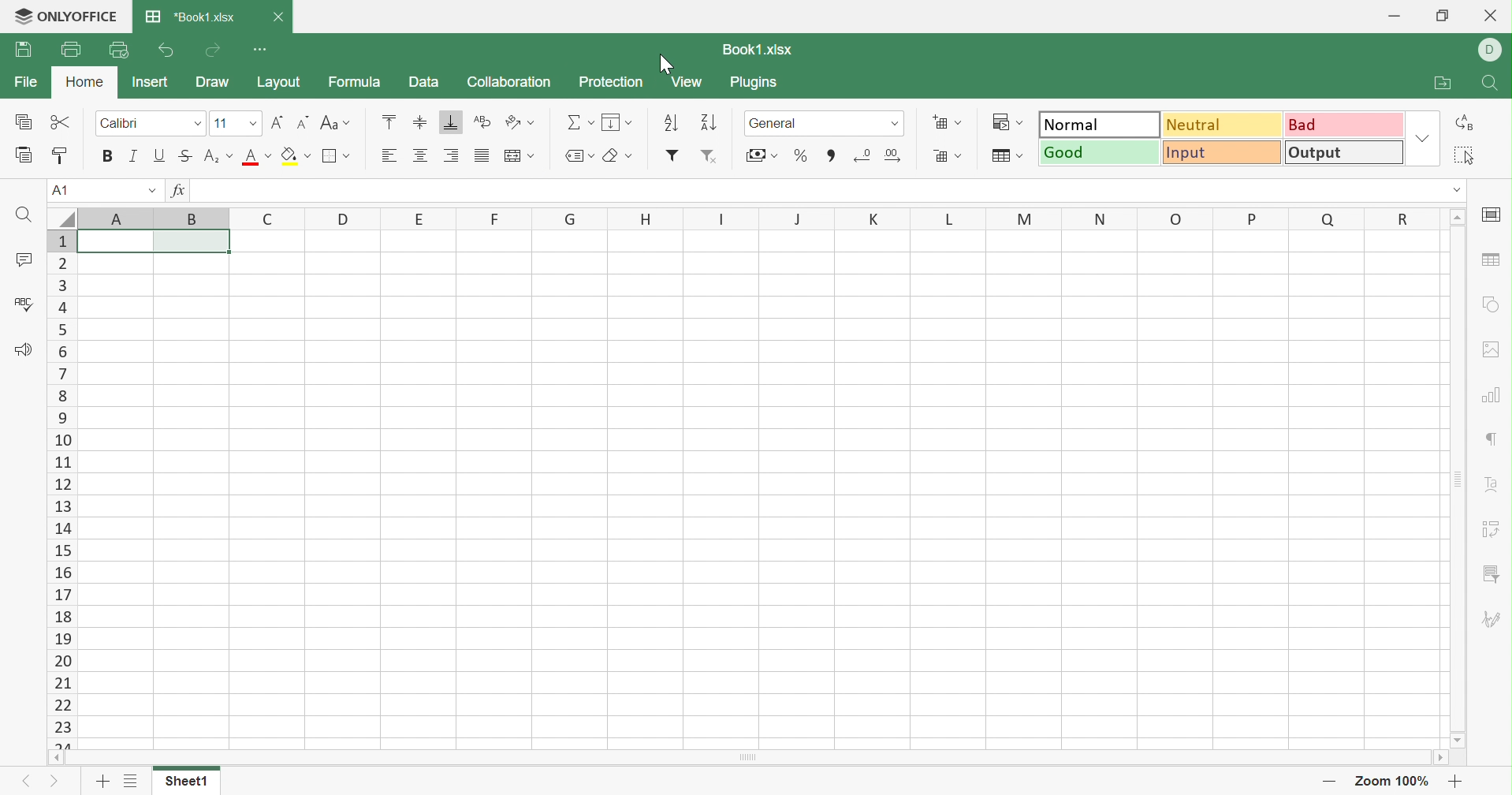 This screenshot has width=1512, height=795. What do you see at coordinates (259, 50) in the screenshot?
I see `Customize Quick Access Toolbar` at bounding box center [259, 50].